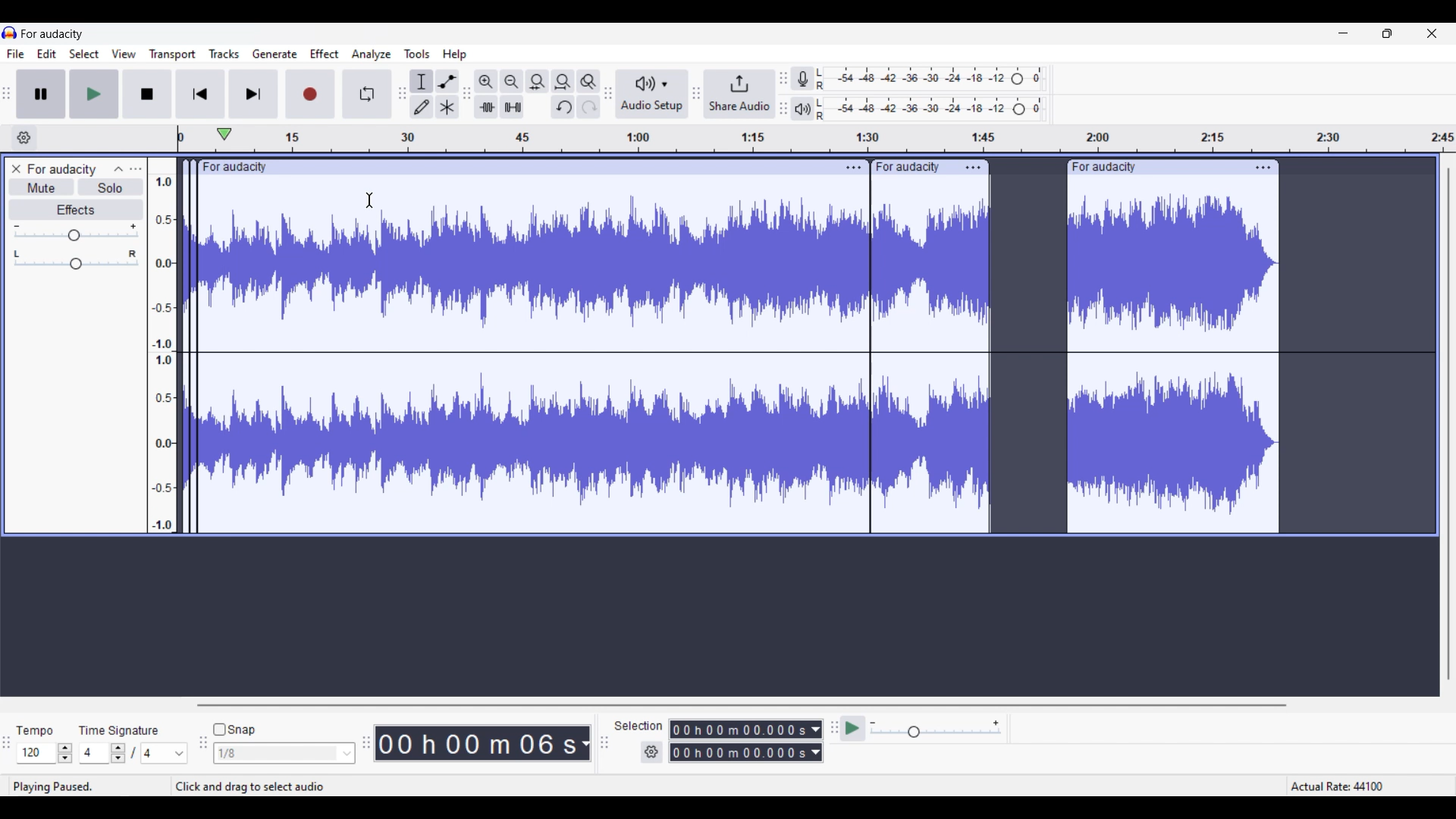  I want to click on Solo, so click(111, 187).